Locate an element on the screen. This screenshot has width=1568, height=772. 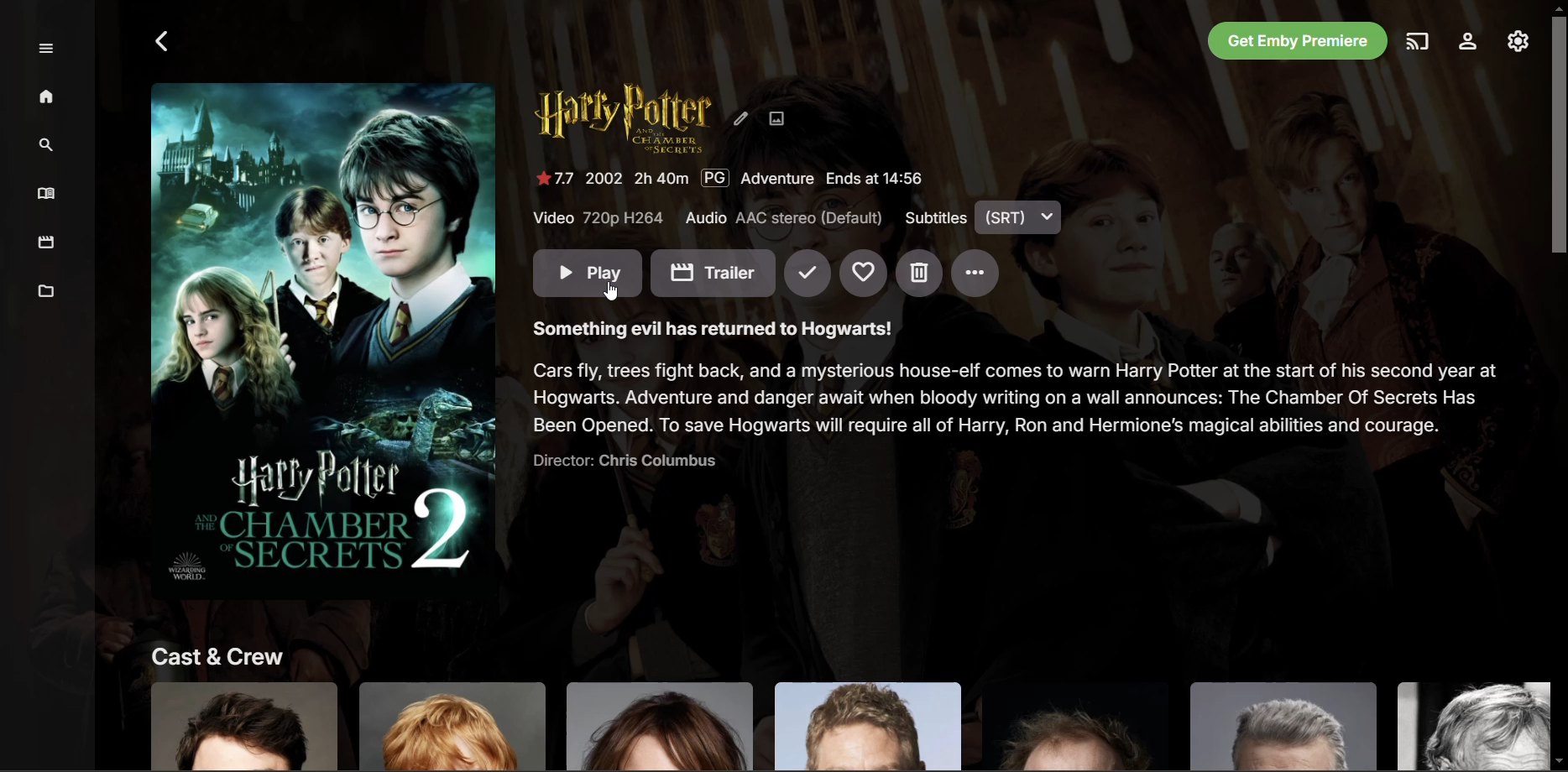
Play on another device is located at coordinates (1418, 43).